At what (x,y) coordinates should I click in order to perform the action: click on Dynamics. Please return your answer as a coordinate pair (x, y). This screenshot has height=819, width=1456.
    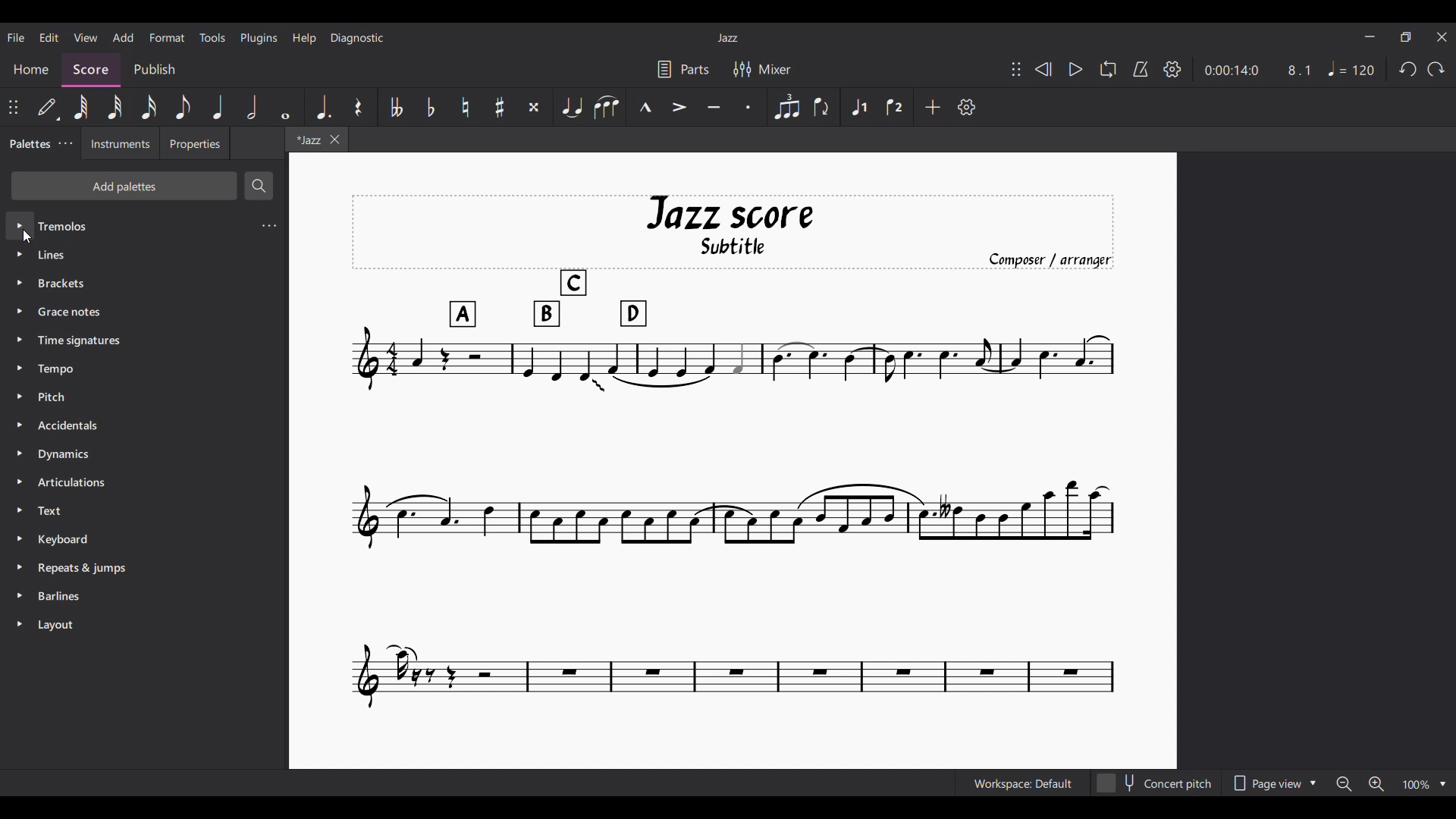
    Looking at the image, I should click on (143, 454).